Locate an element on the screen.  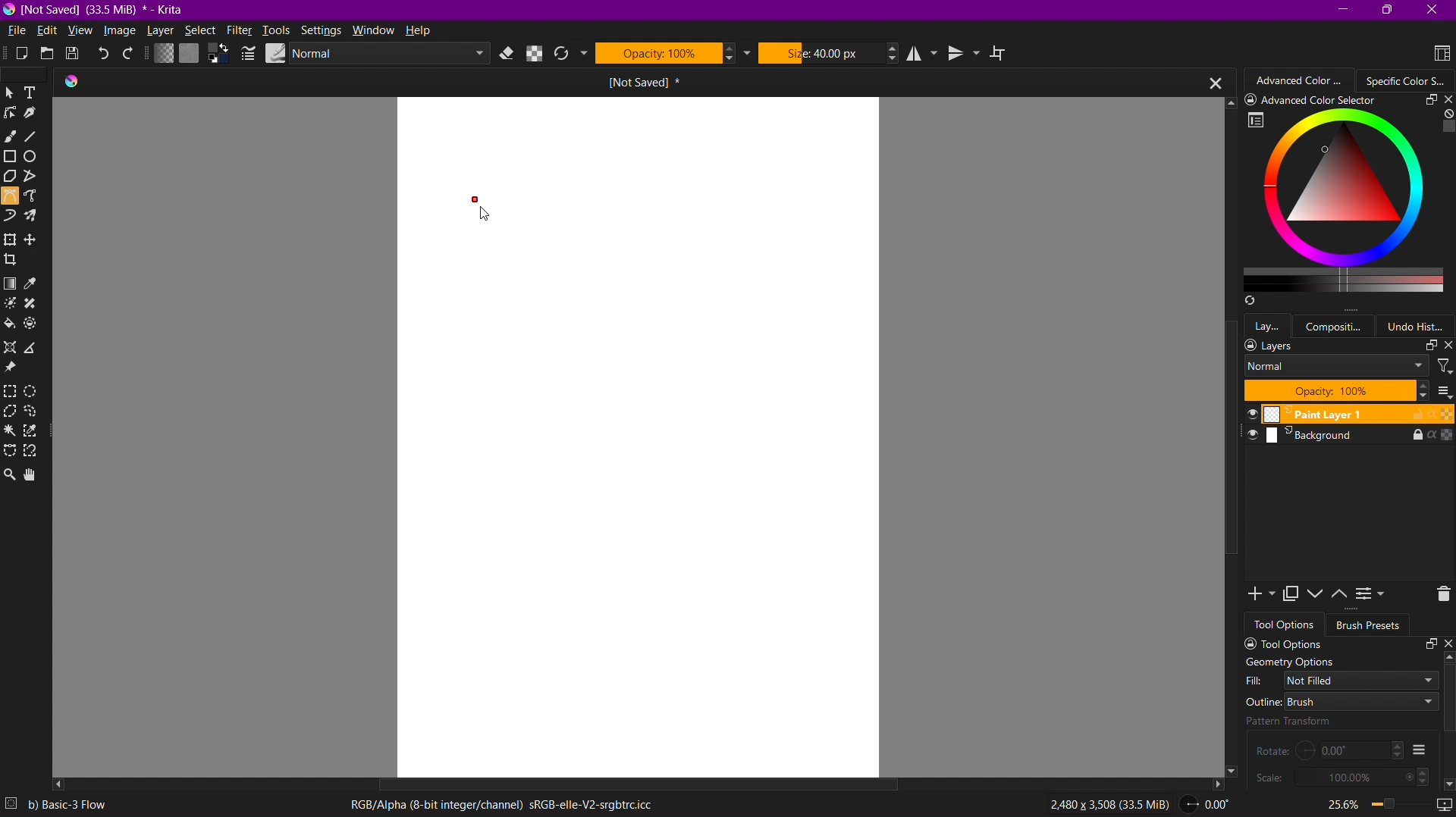
Select is located at coordinates (199, 32).